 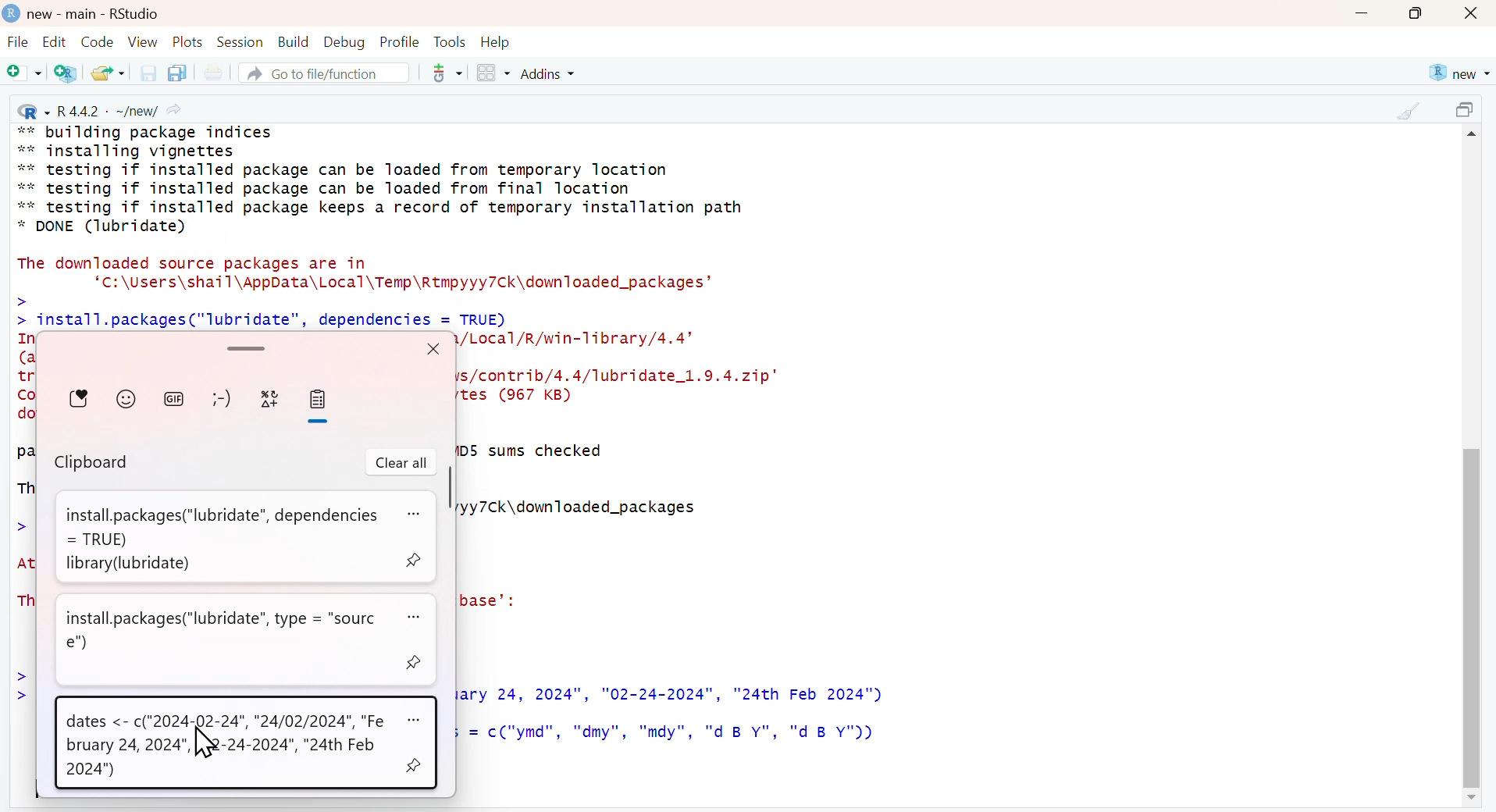 What do you see at coordinates (448, 488) in the screenshot?
I see `scroll bar` at bounding box center [448, 488].